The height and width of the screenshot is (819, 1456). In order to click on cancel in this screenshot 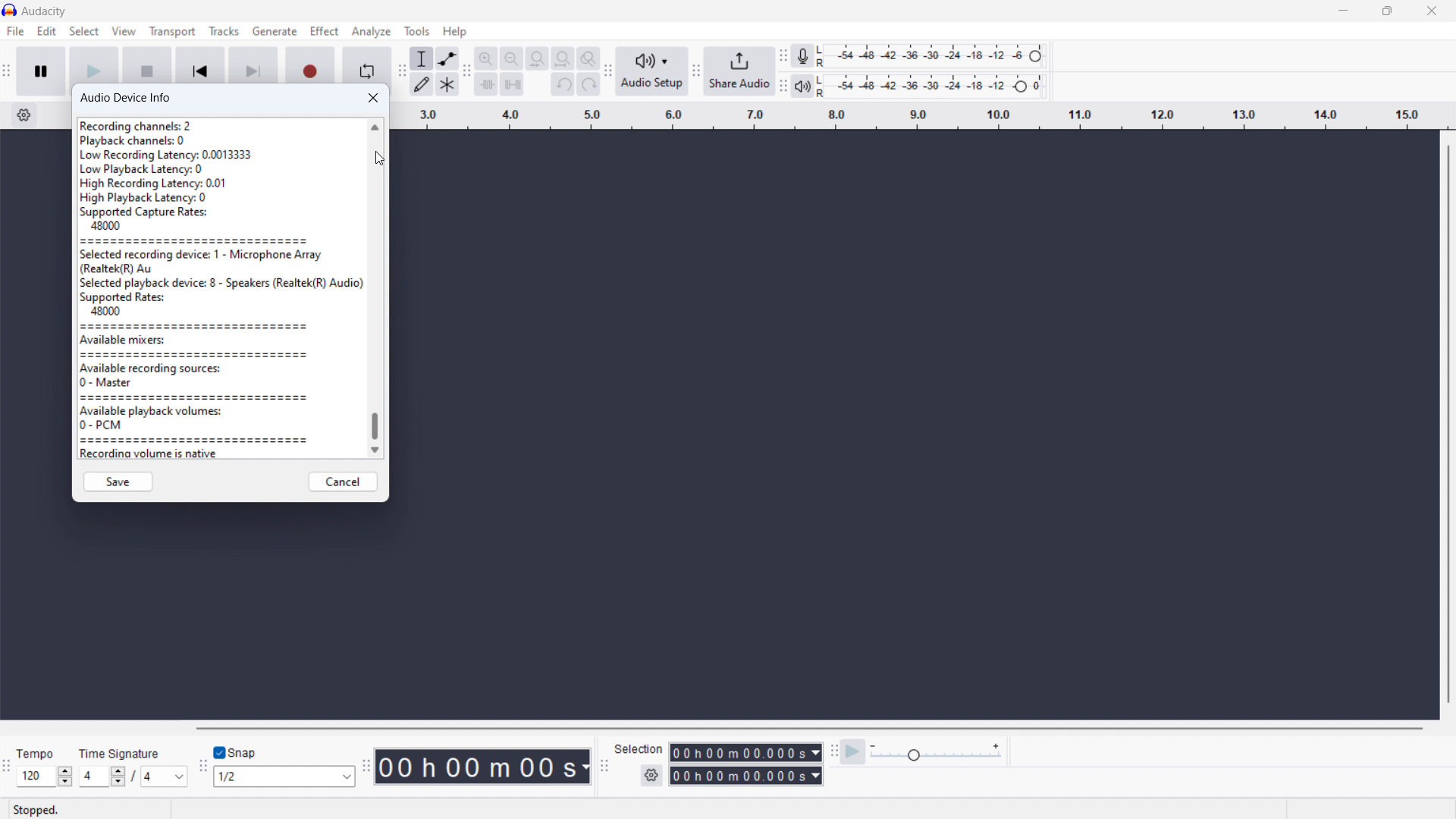, I will do `click(344, 482)`.